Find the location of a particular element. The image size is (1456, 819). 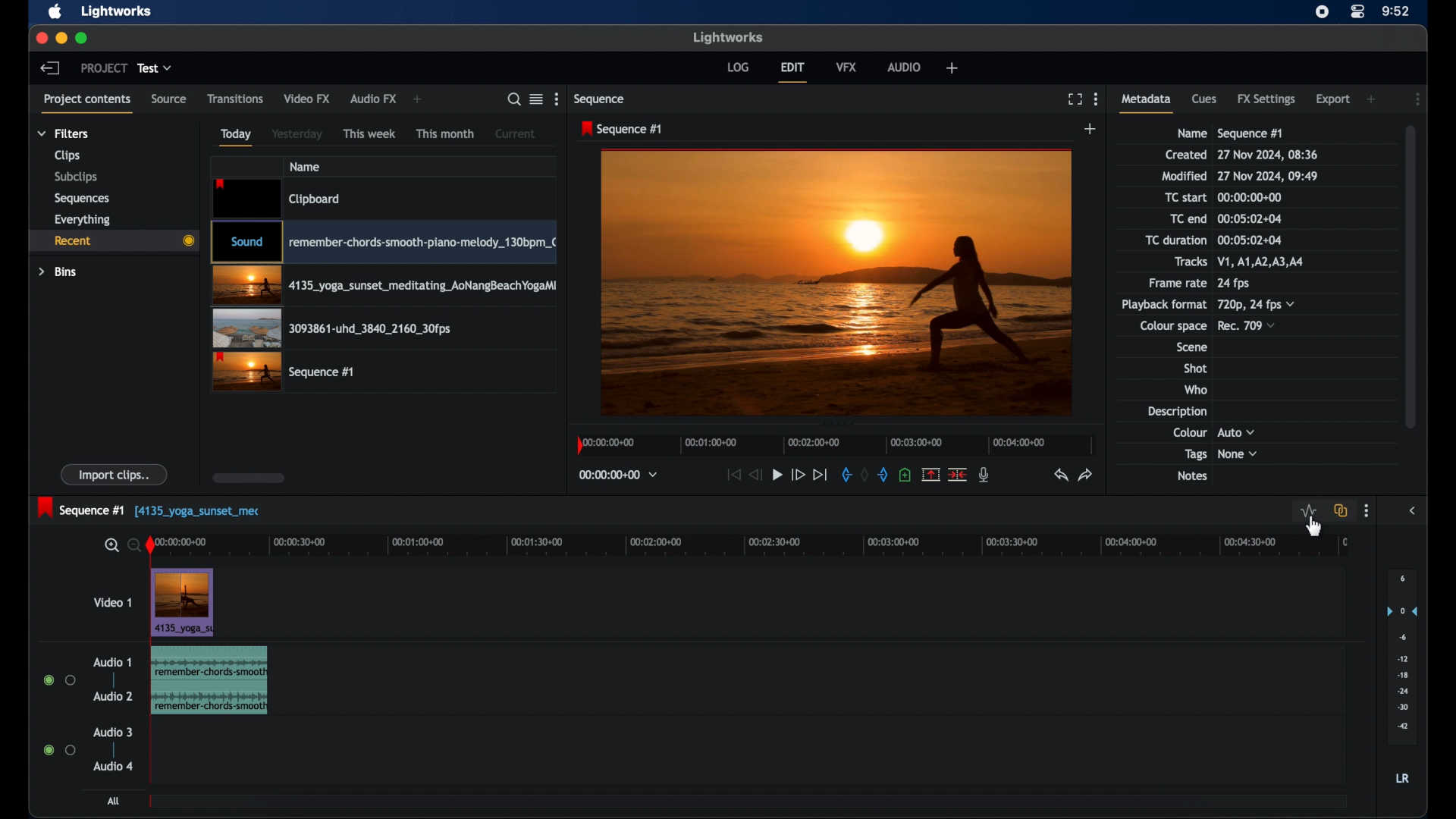

timeline scale is located at coordinates (836, 445).